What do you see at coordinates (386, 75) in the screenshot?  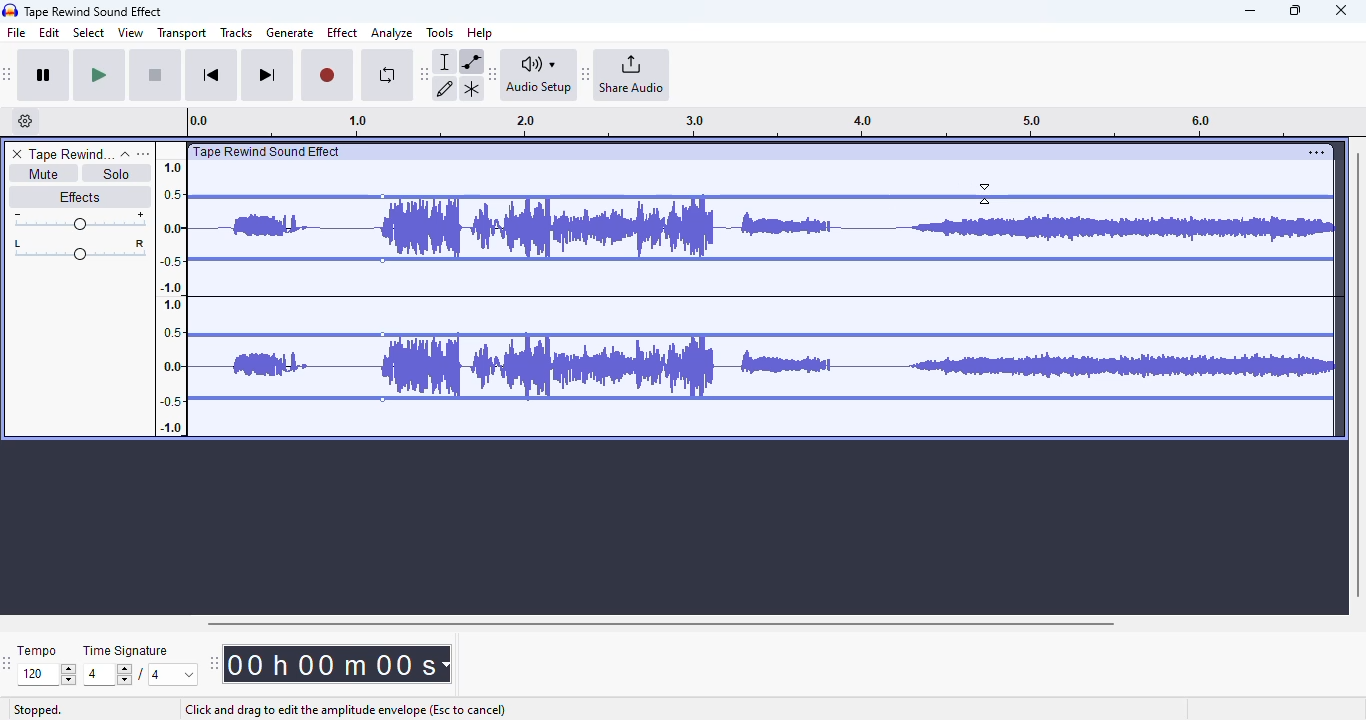 I see `enable looping` at bounding box center [386, 75].